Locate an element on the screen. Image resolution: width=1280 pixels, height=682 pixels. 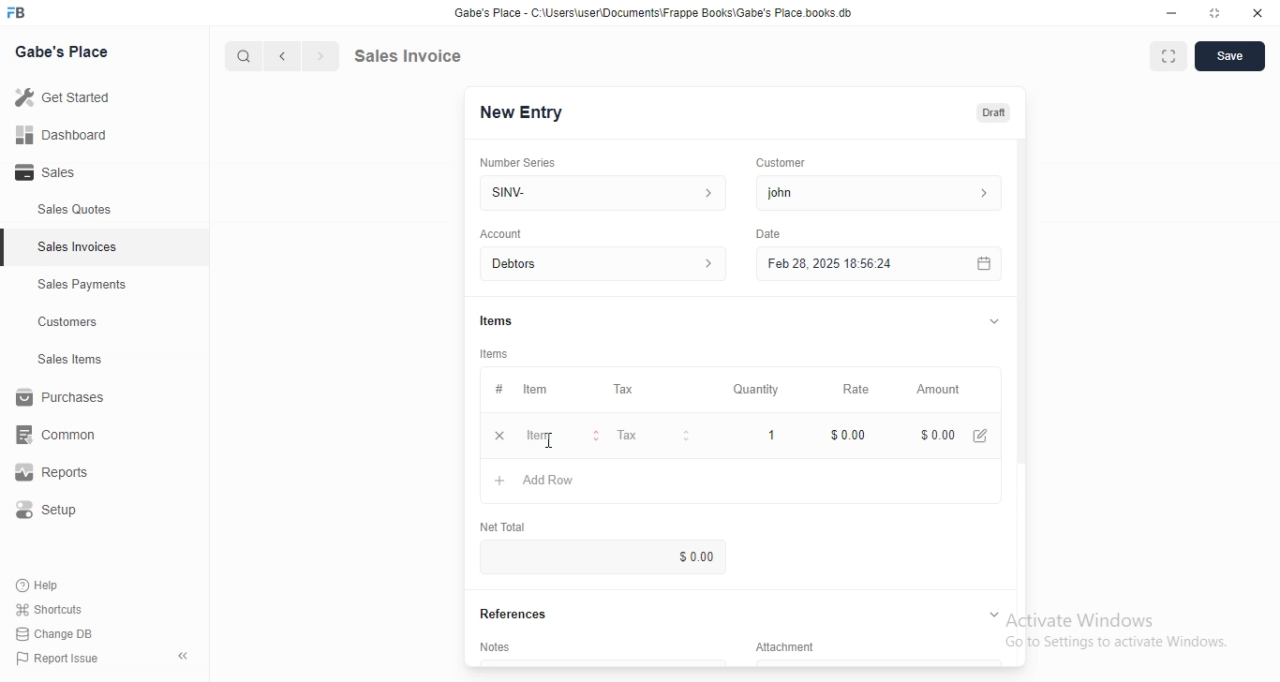
maximize is located at coordinates (1216, 15).